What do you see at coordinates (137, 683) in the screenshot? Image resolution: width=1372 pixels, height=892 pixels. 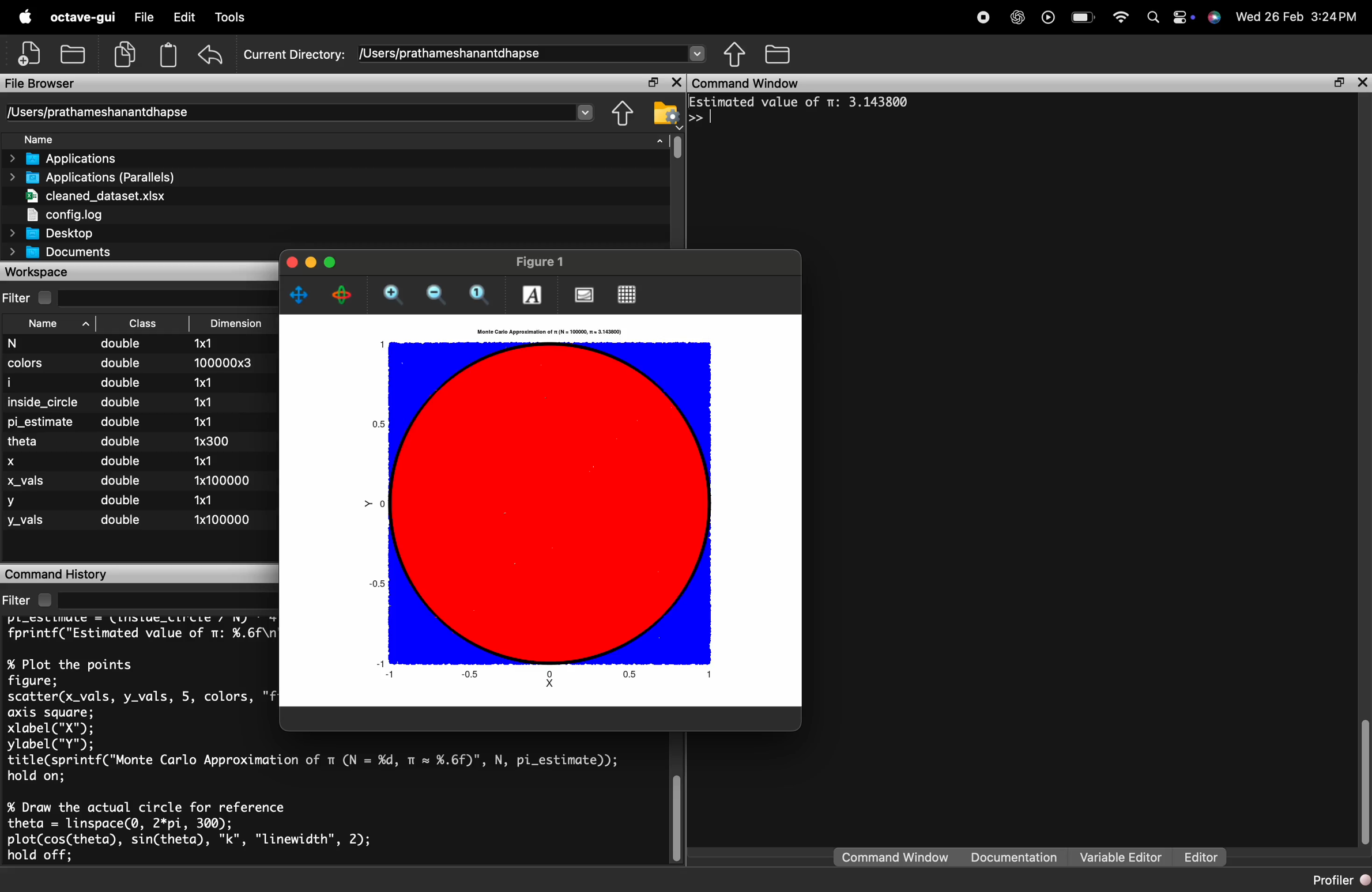 I see `PL_EDLLIIULE = (LIDLUC_LLILLE / IN) =
fprintf("Estimated value of mw: %.6f\r
% Plot the points

figure;

scatter(x_vals, y_vals, 5, colors, "f
axis square;

xlabel("X");

vliabel("Y"):` at bounding box center [137, 683].